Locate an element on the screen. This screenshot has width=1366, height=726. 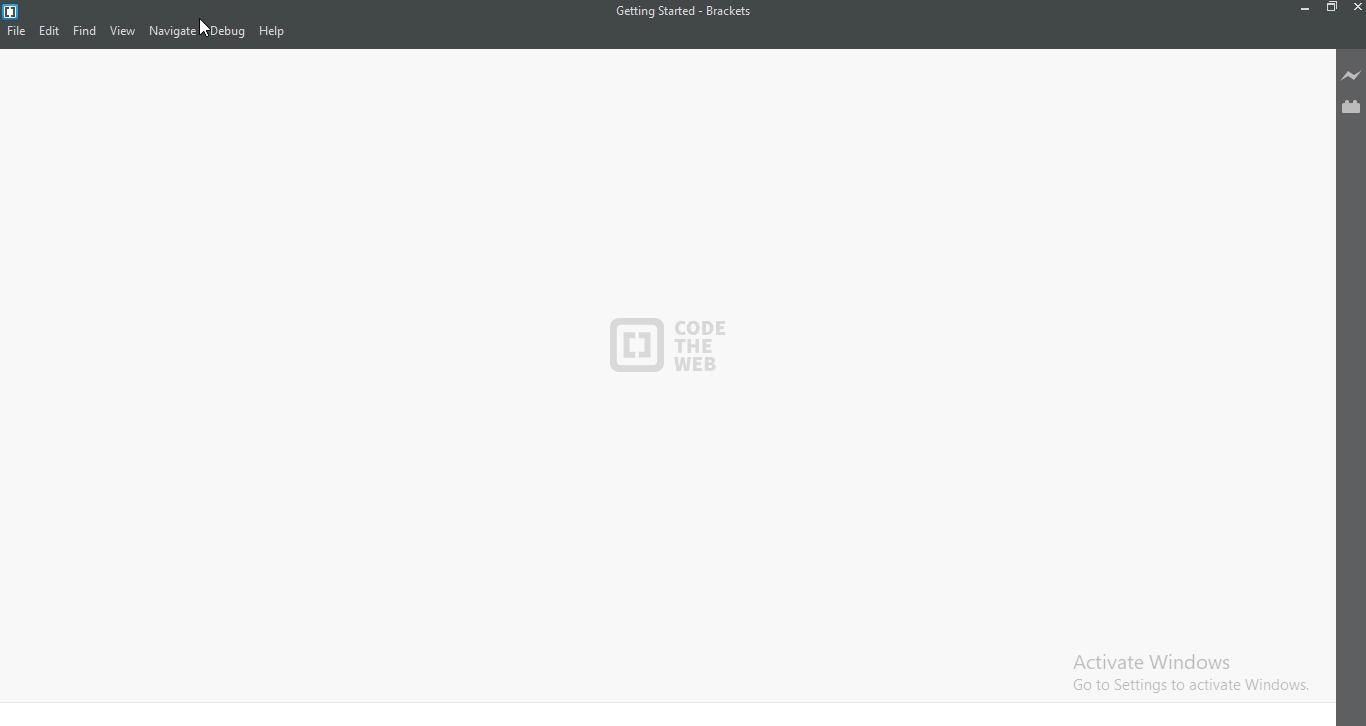
cursor is located at coordinates (208, 25).